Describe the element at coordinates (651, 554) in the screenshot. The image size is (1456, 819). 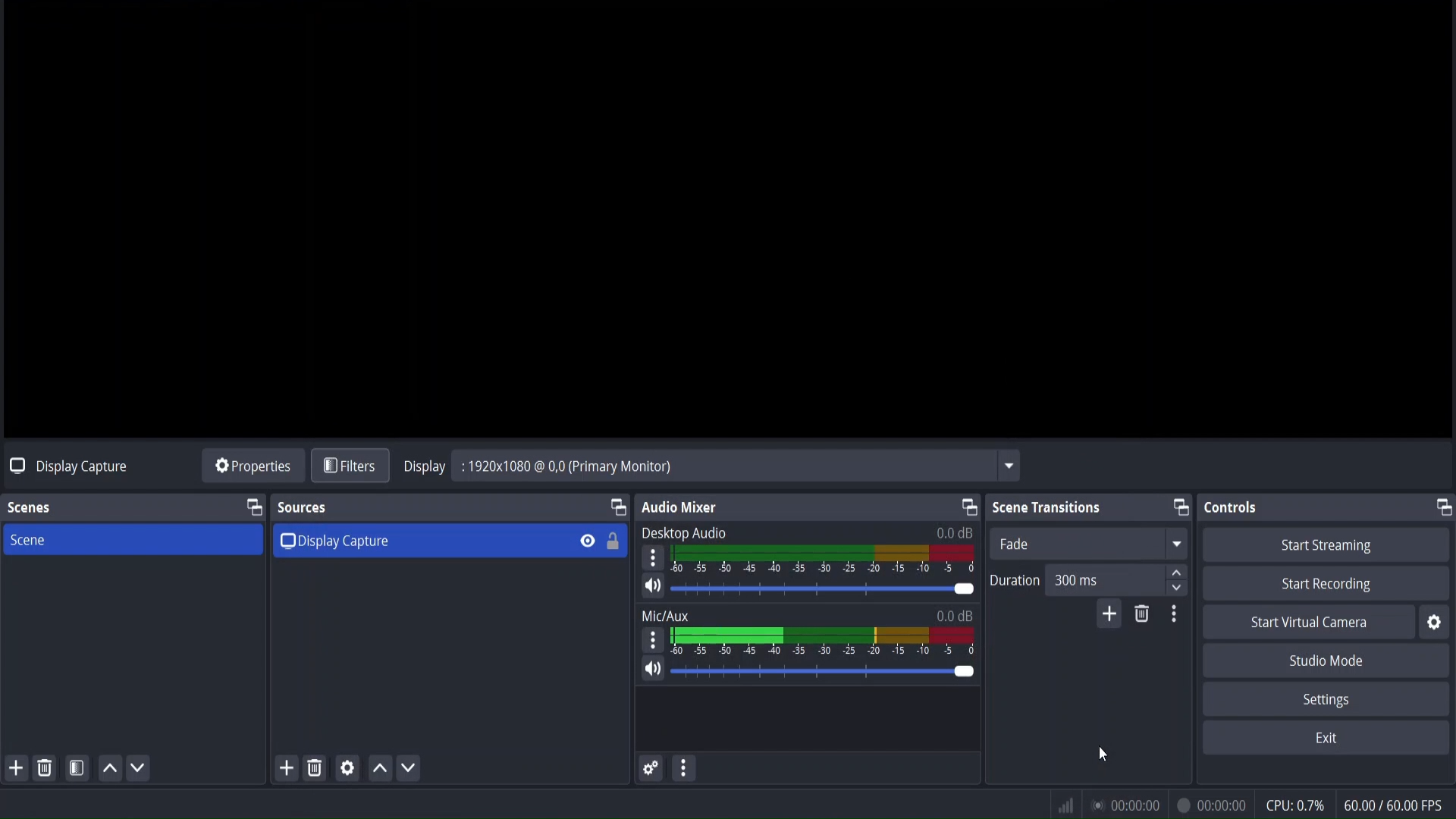
I see `settings` at that location.